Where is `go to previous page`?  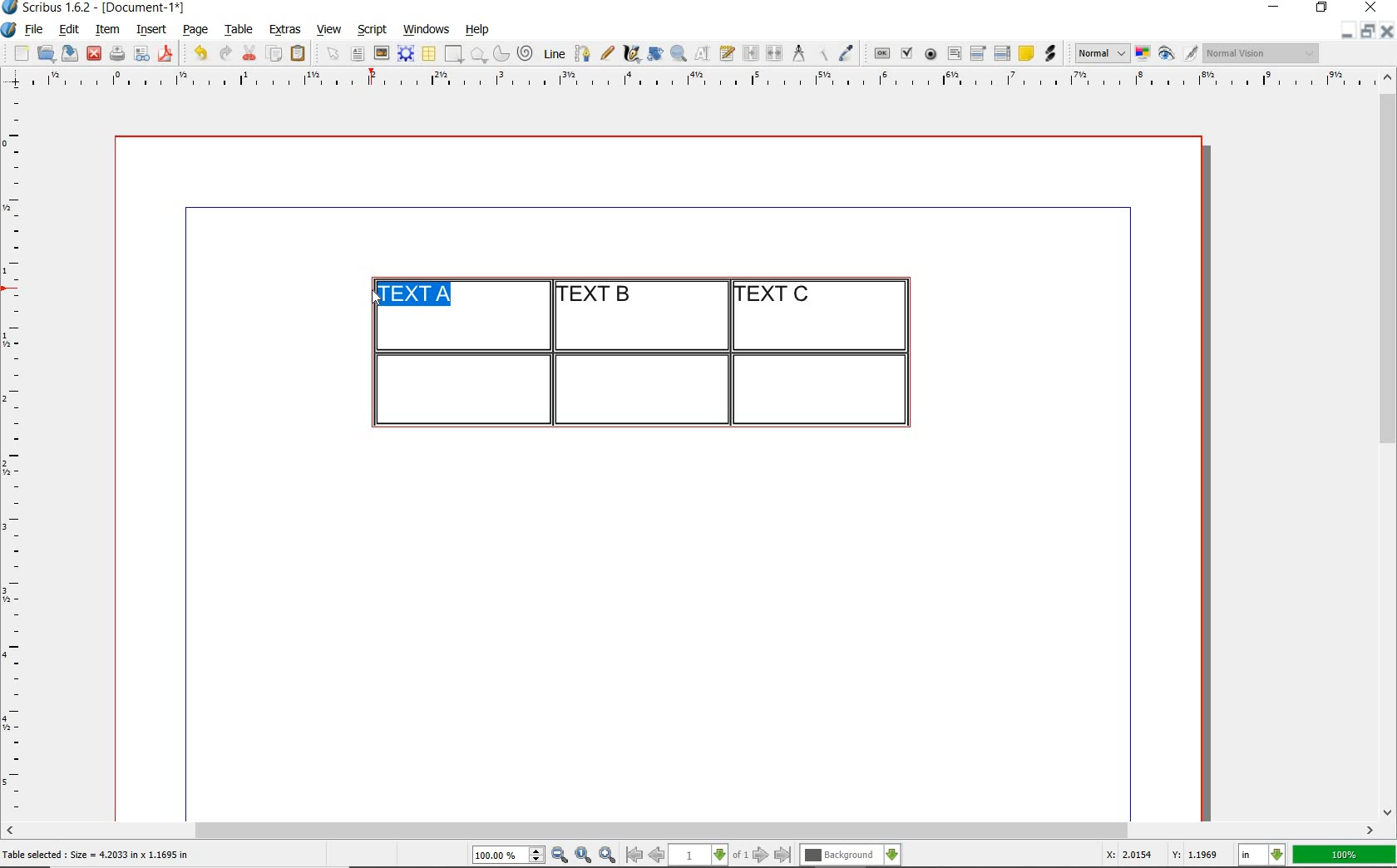
go to previous page is located at coordinates (656, 856).